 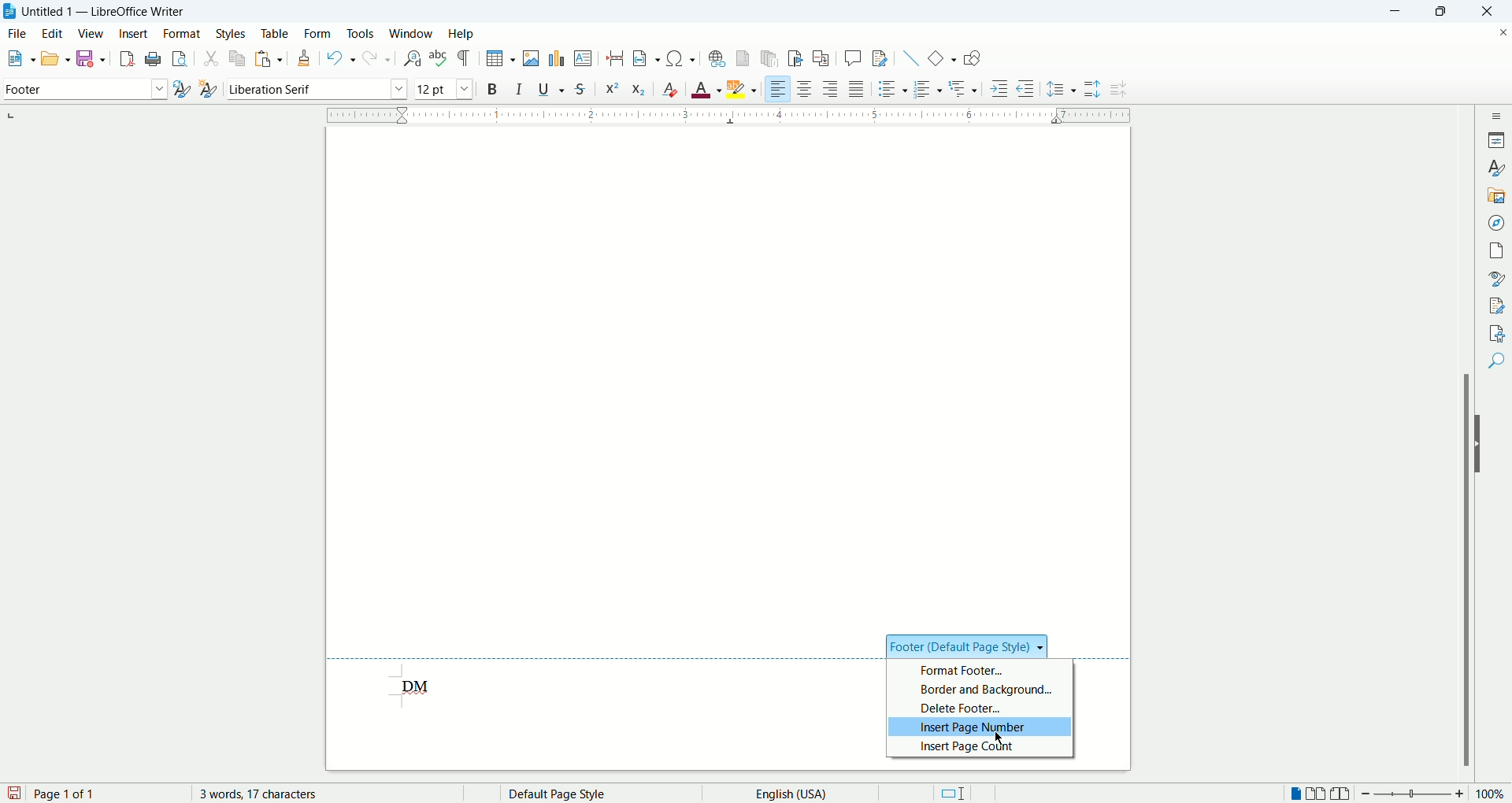 What do you see at coordinates (233, 33) in the screenshot?
I see `styles` at bounding box center [233, 33].